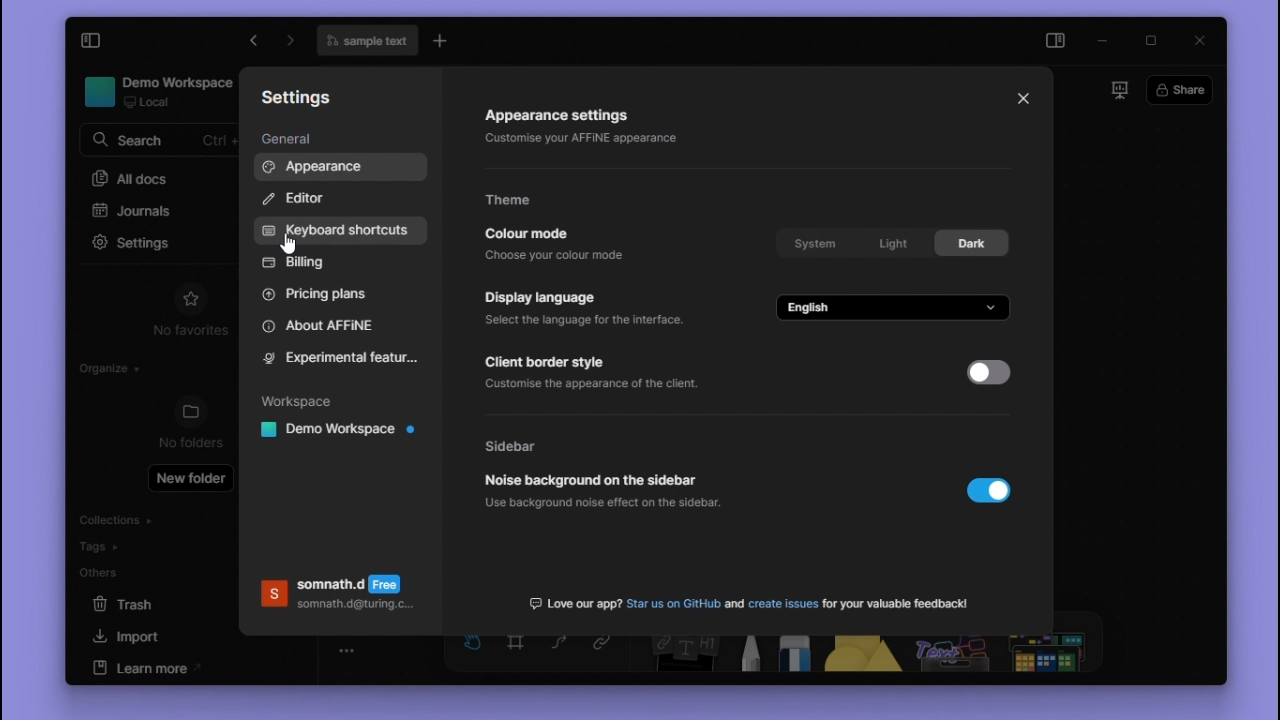 The height and width of the screenshot is (720, 1280). Describe the element at coordinates (343, 359) in the screenshot. I see `Experimental features` at that location.